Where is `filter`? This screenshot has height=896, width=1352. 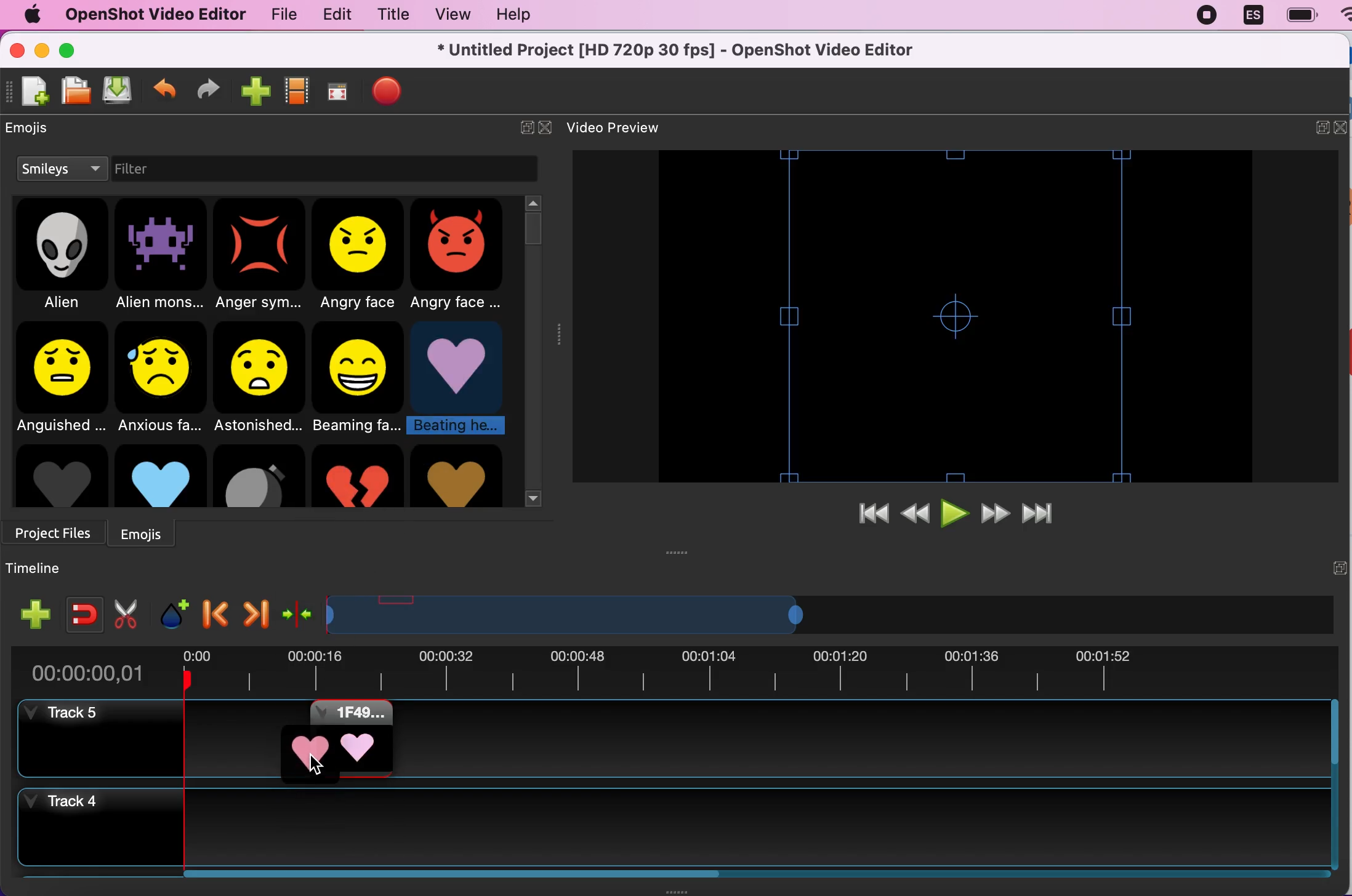
filter is located at coordinates (159, 170).